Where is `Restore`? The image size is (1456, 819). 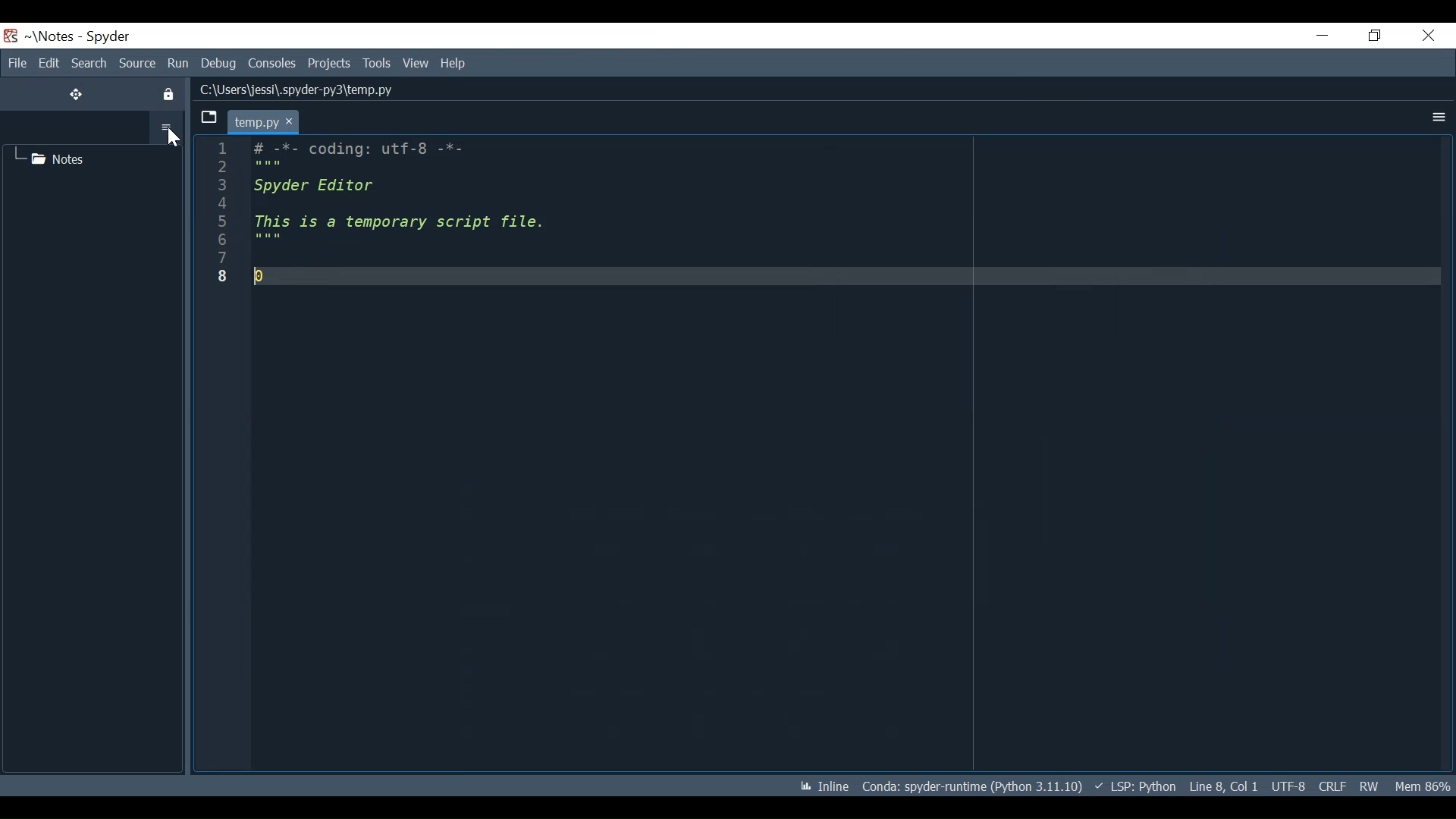
Restore is located at coordinates (1373, 36).